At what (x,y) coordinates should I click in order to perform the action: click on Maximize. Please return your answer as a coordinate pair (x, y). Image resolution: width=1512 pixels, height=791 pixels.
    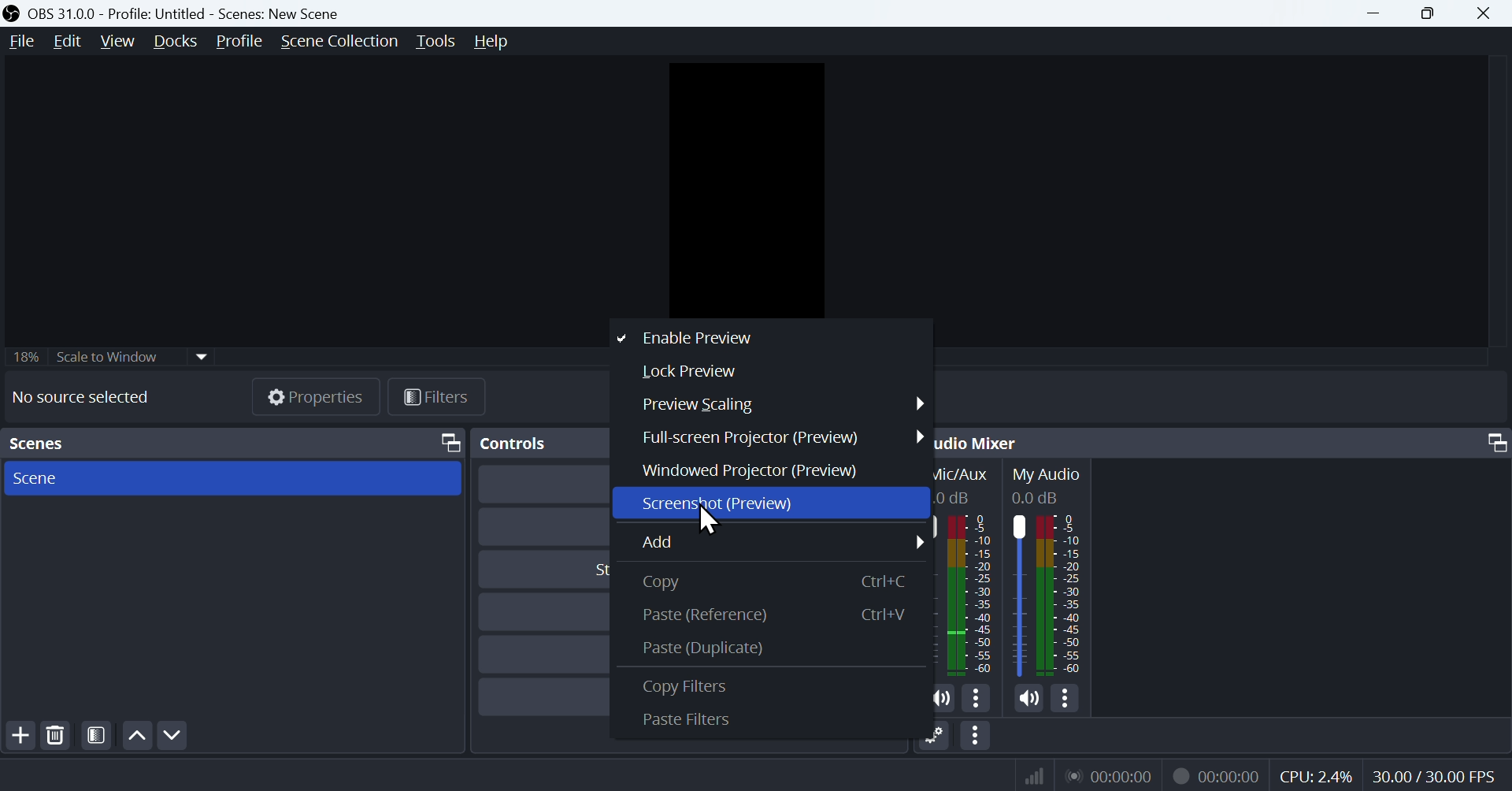
    Looking at the image, I should click on (1429, 14).